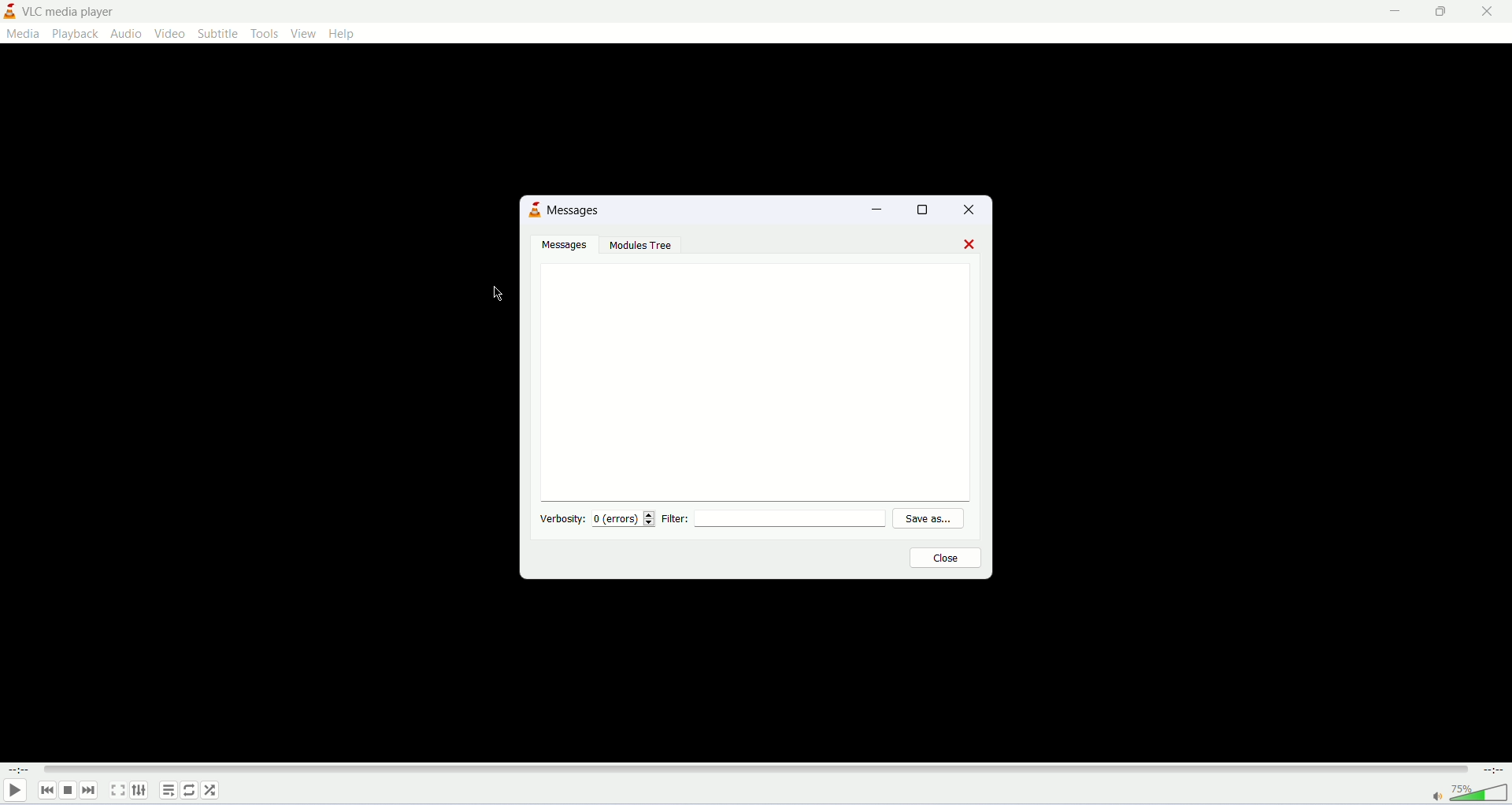  I want to click on minimize, so click(1395, 12).